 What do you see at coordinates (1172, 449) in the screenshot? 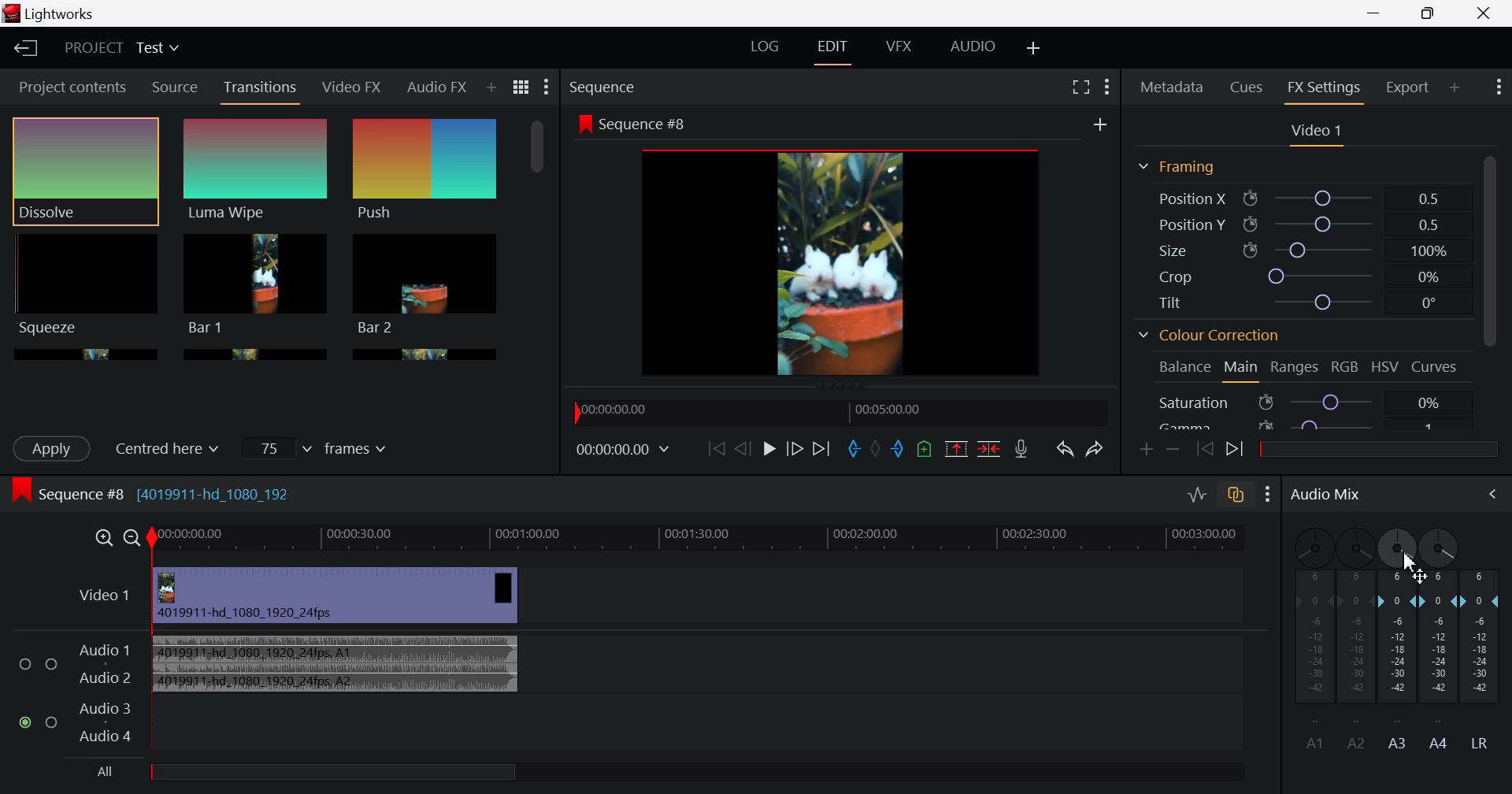
I see `Remove keyframe` at bounding box center [1172, 449].